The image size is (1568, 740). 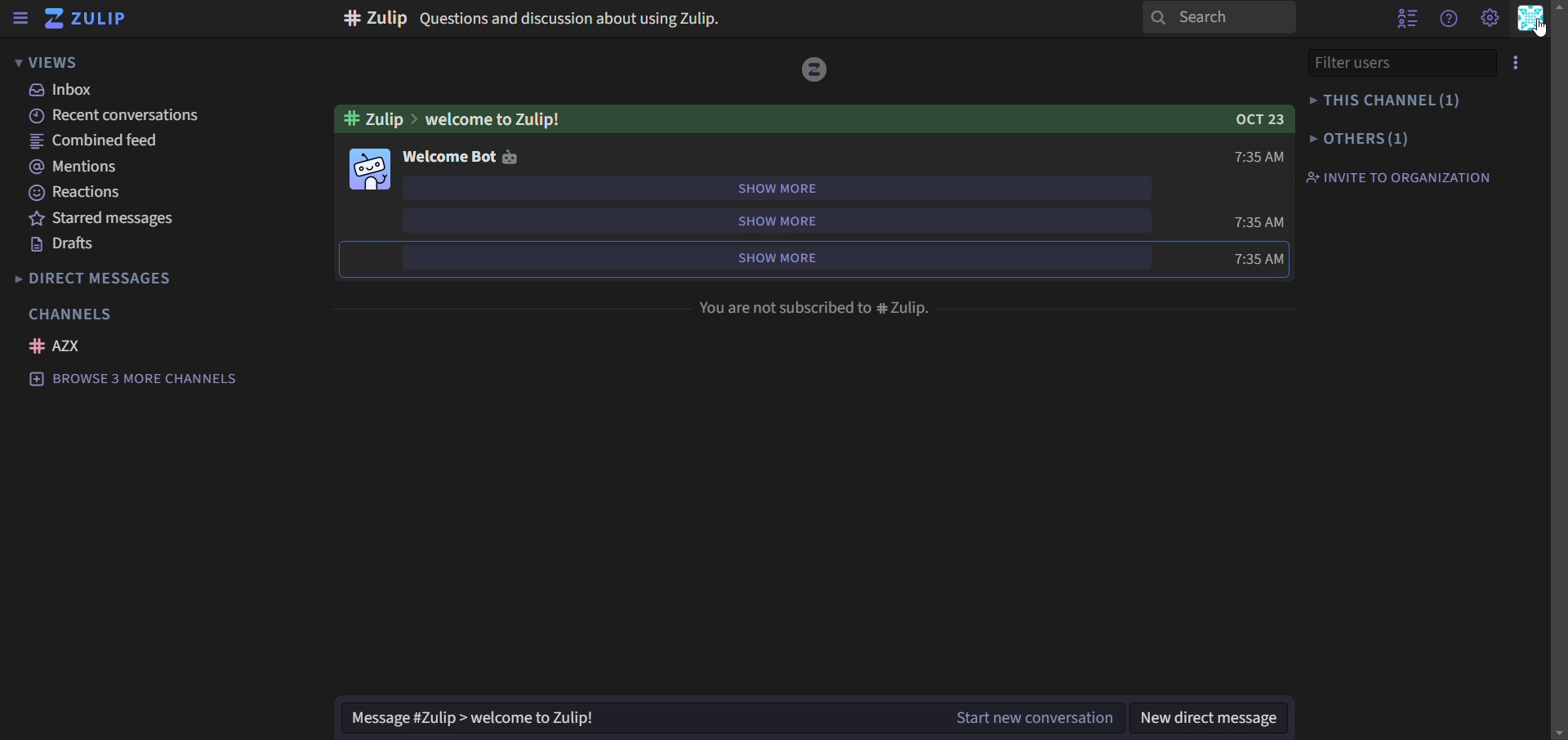 What do you see at coordinates (67, 246) in the screenshot?
I see `drafts` at bounding box center [67, 246].